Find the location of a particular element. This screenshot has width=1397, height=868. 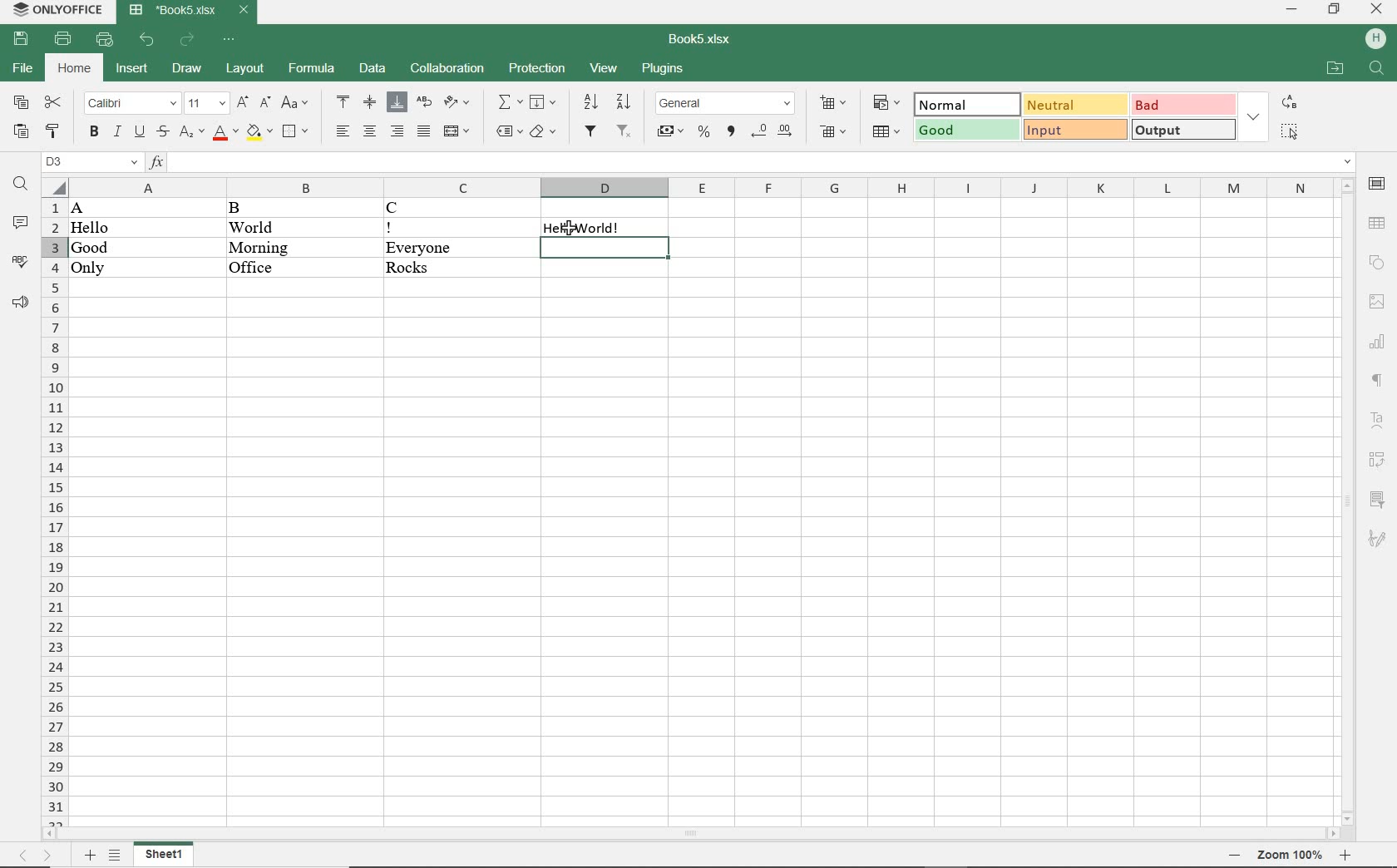

CUT is located at coordinates (54, 103).